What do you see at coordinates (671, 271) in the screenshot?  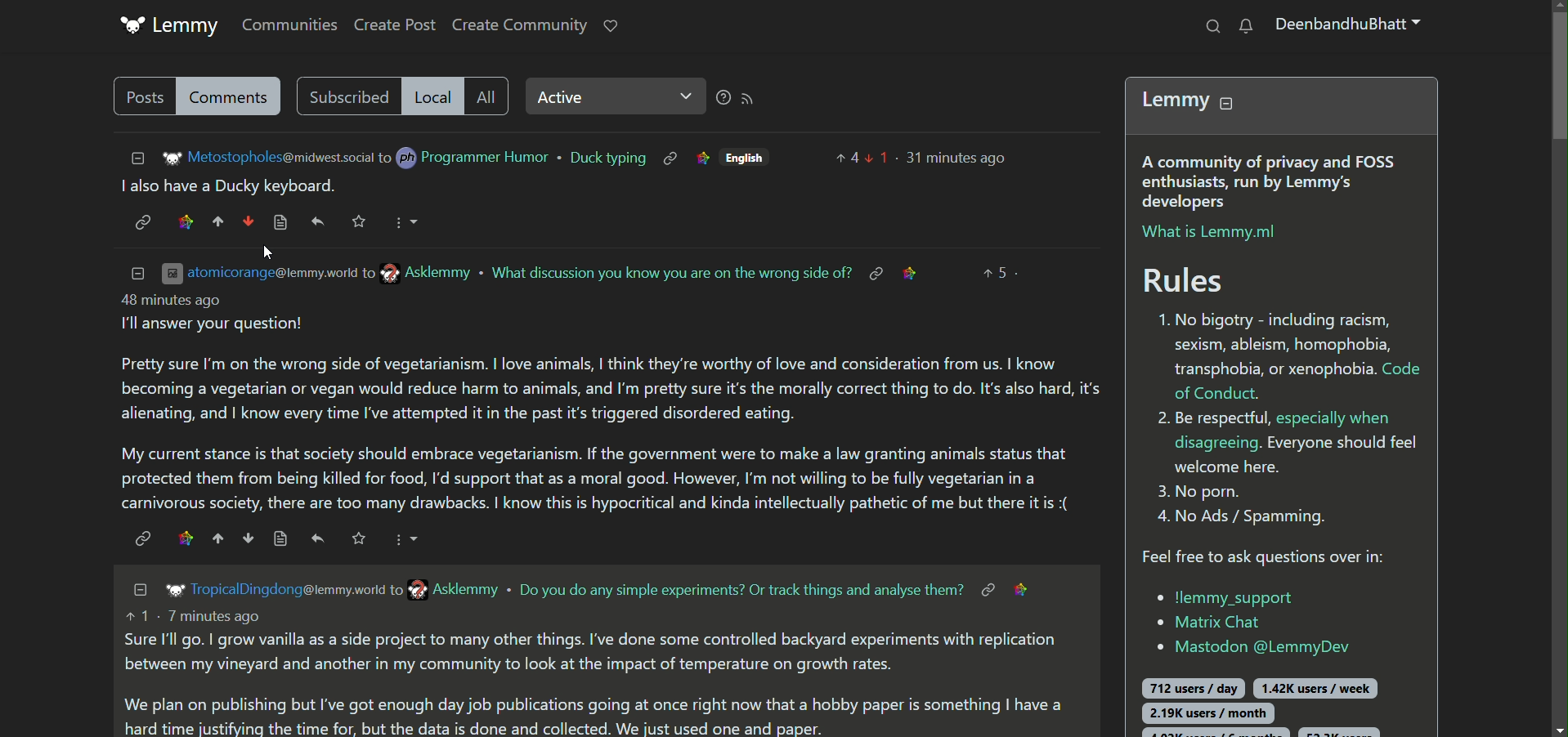 I see `text` at bounding box center [671, 271].